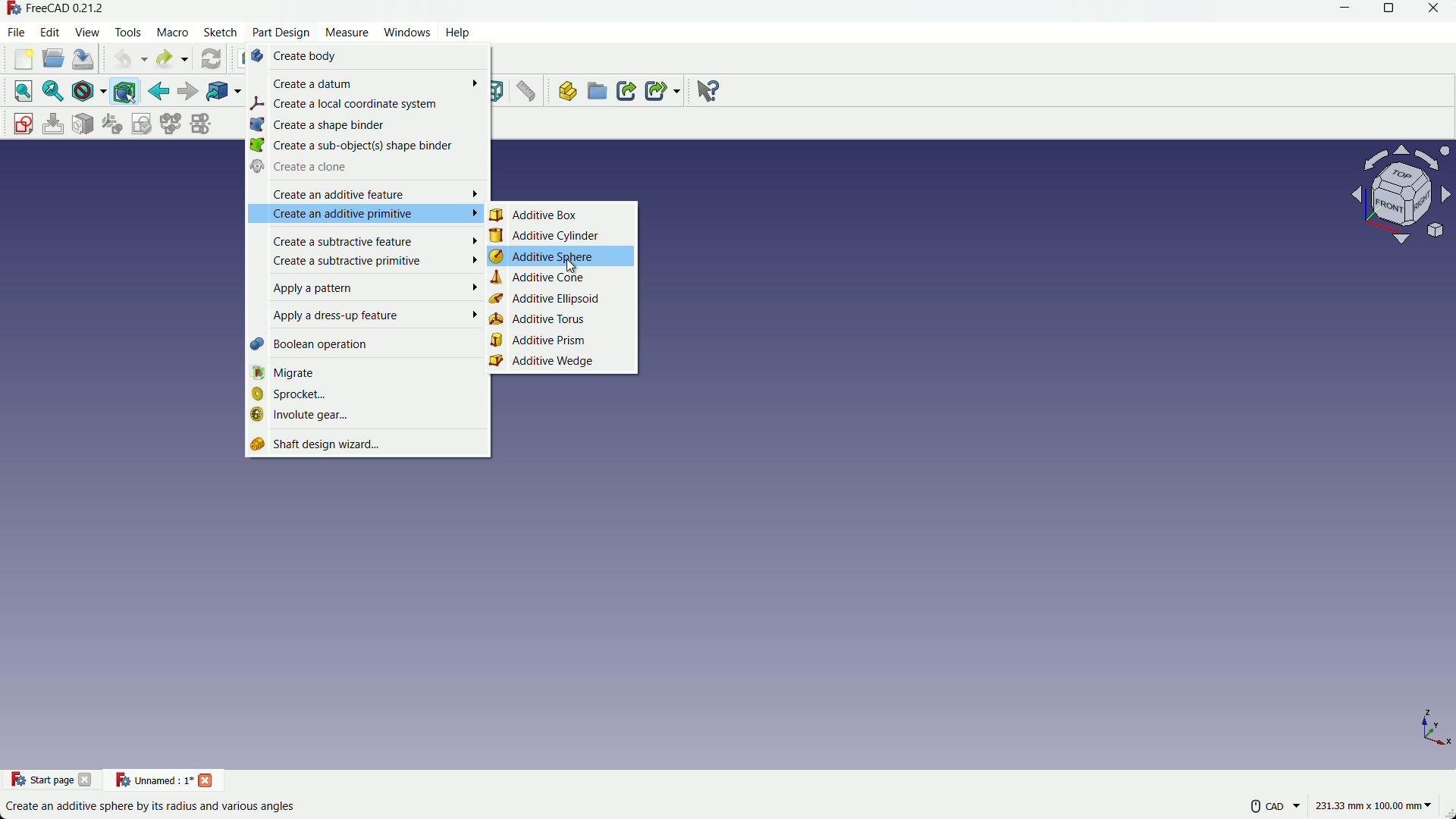 This screenshot has height=819, width=1456. I want to click on create a shape binder, so click(366, 127).